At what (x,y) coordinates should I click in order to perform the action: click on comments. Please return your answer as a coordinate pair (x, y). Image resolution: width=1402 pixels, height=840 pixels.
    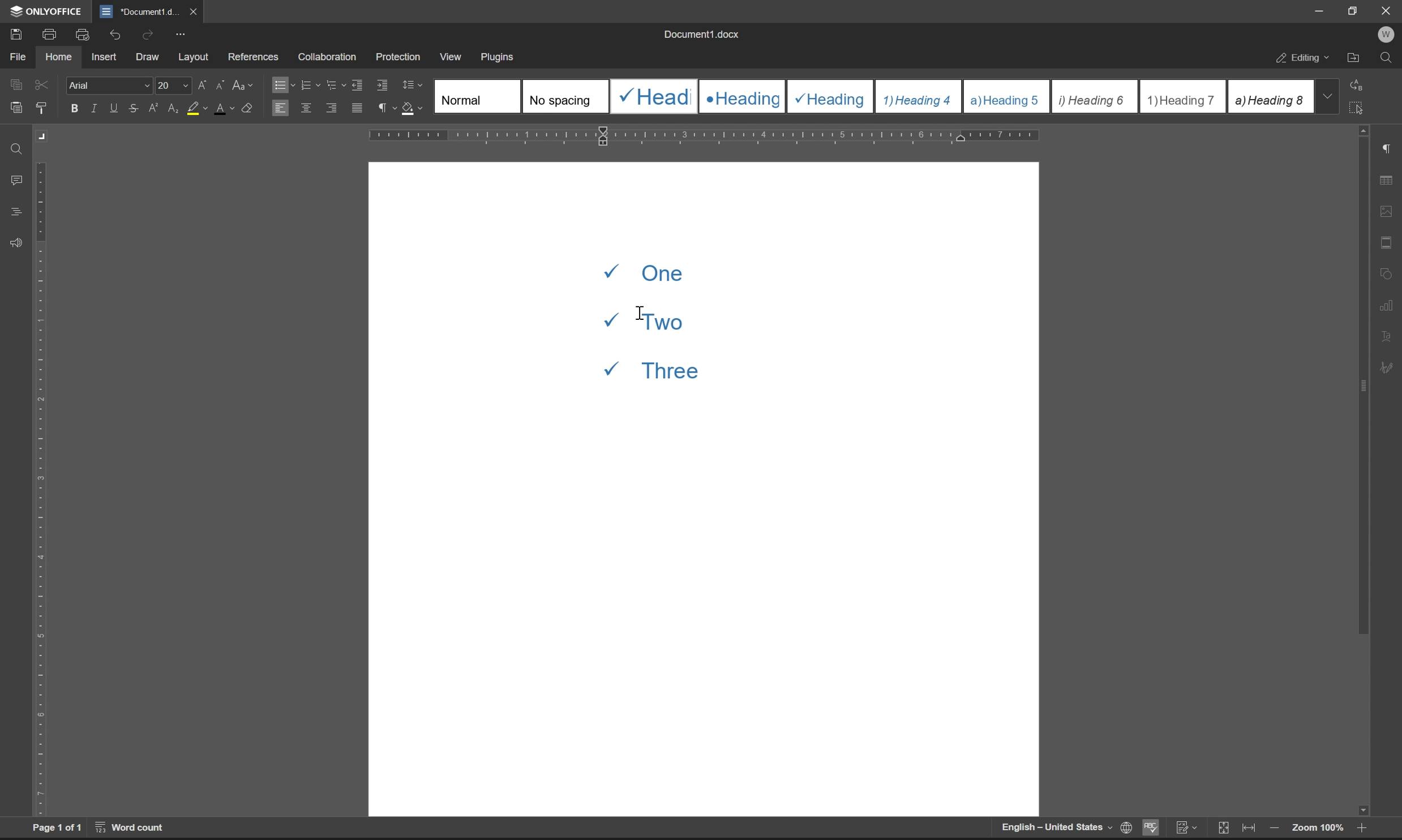
    Looking at the image, I should click on (19, 181).